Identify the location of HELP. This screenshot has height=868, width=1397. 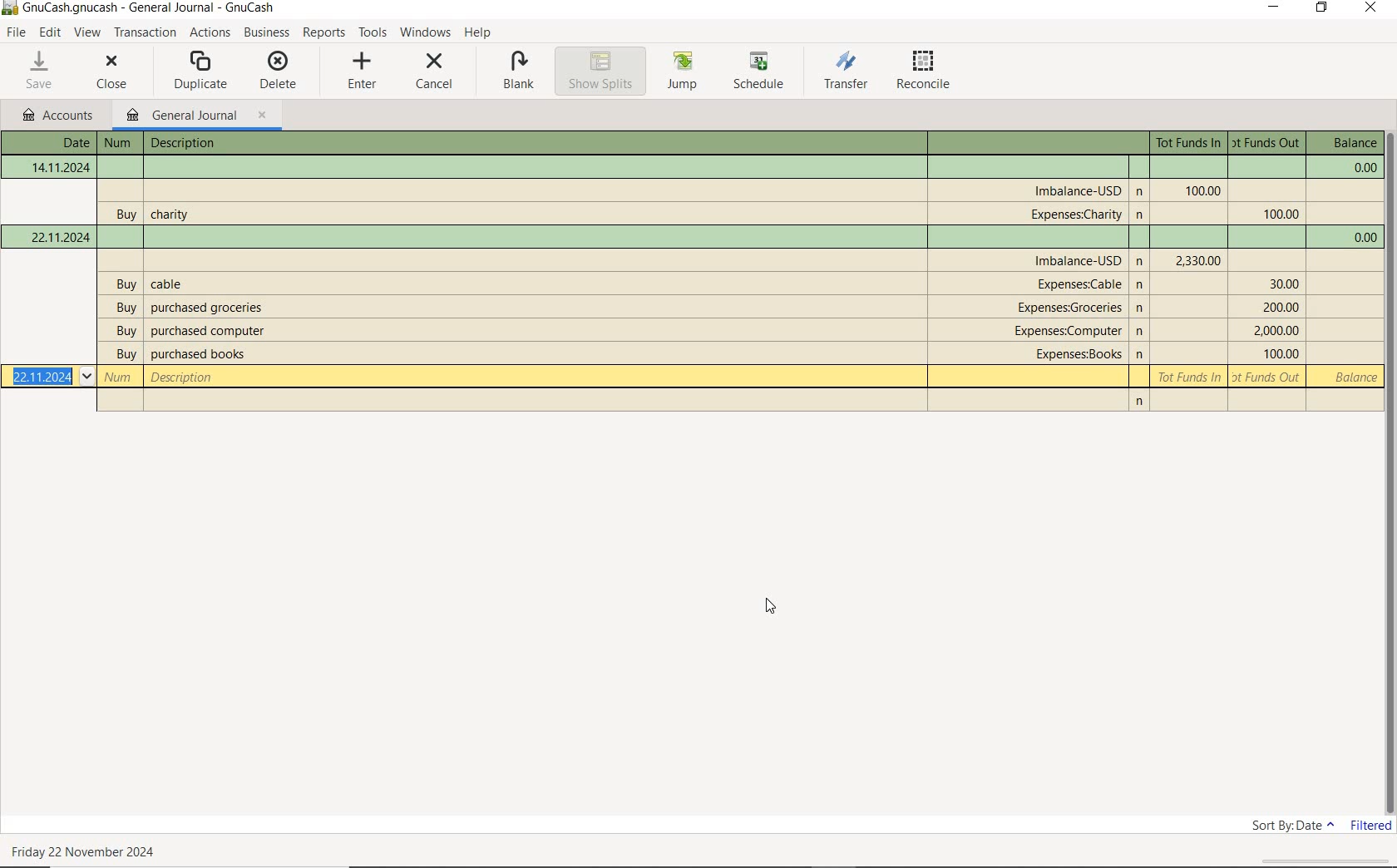
(481, 32).